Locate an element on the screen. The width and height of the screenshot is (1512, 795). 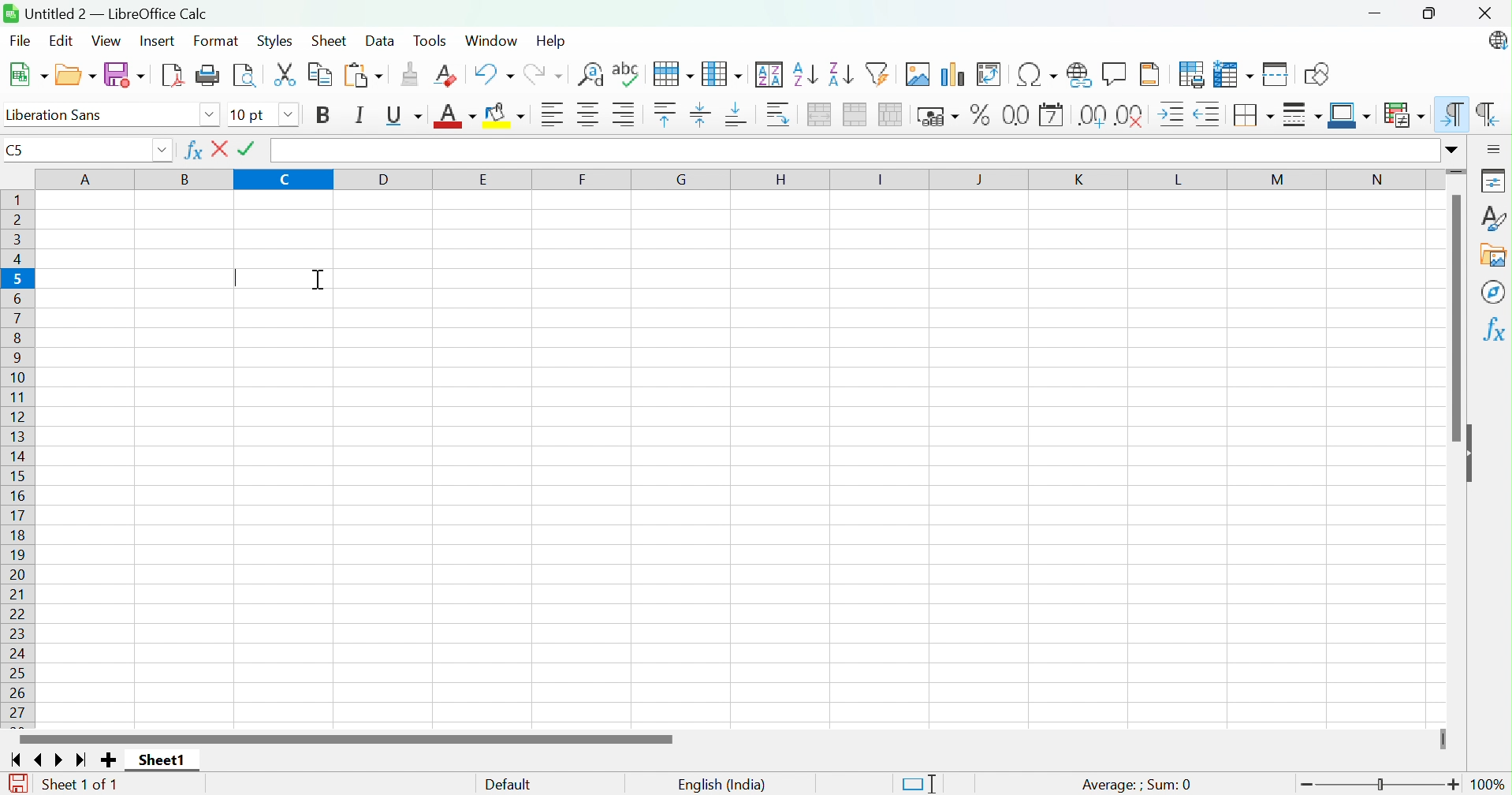
Help is located at coordinates (551, 39).